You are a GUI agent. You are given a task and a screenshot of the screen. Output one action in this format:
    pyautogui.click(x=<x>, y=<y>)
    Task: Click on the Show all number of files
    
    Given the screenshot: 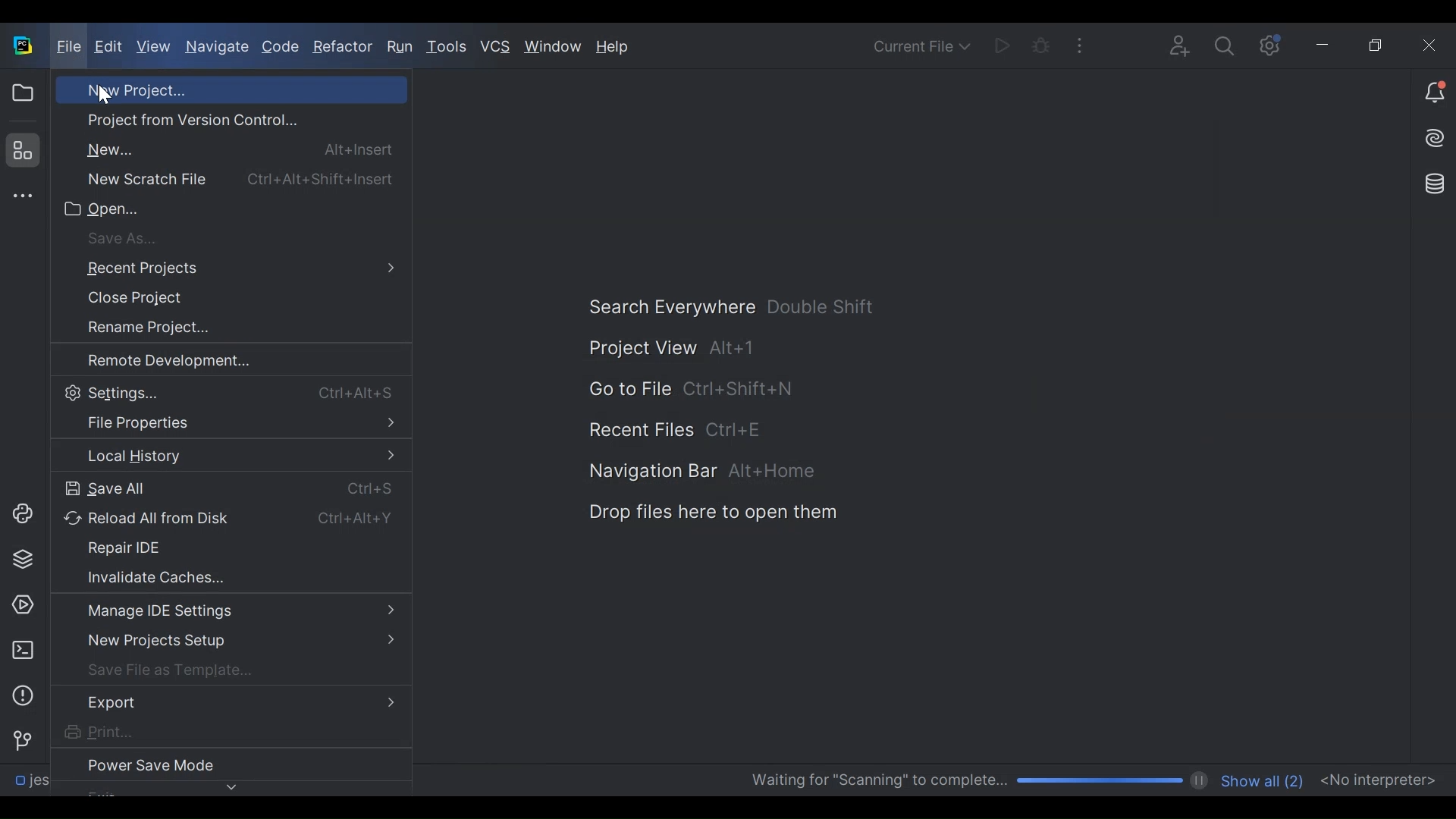 What is the action you would take?
    pyautogui.click(x=1260, y=779)
    